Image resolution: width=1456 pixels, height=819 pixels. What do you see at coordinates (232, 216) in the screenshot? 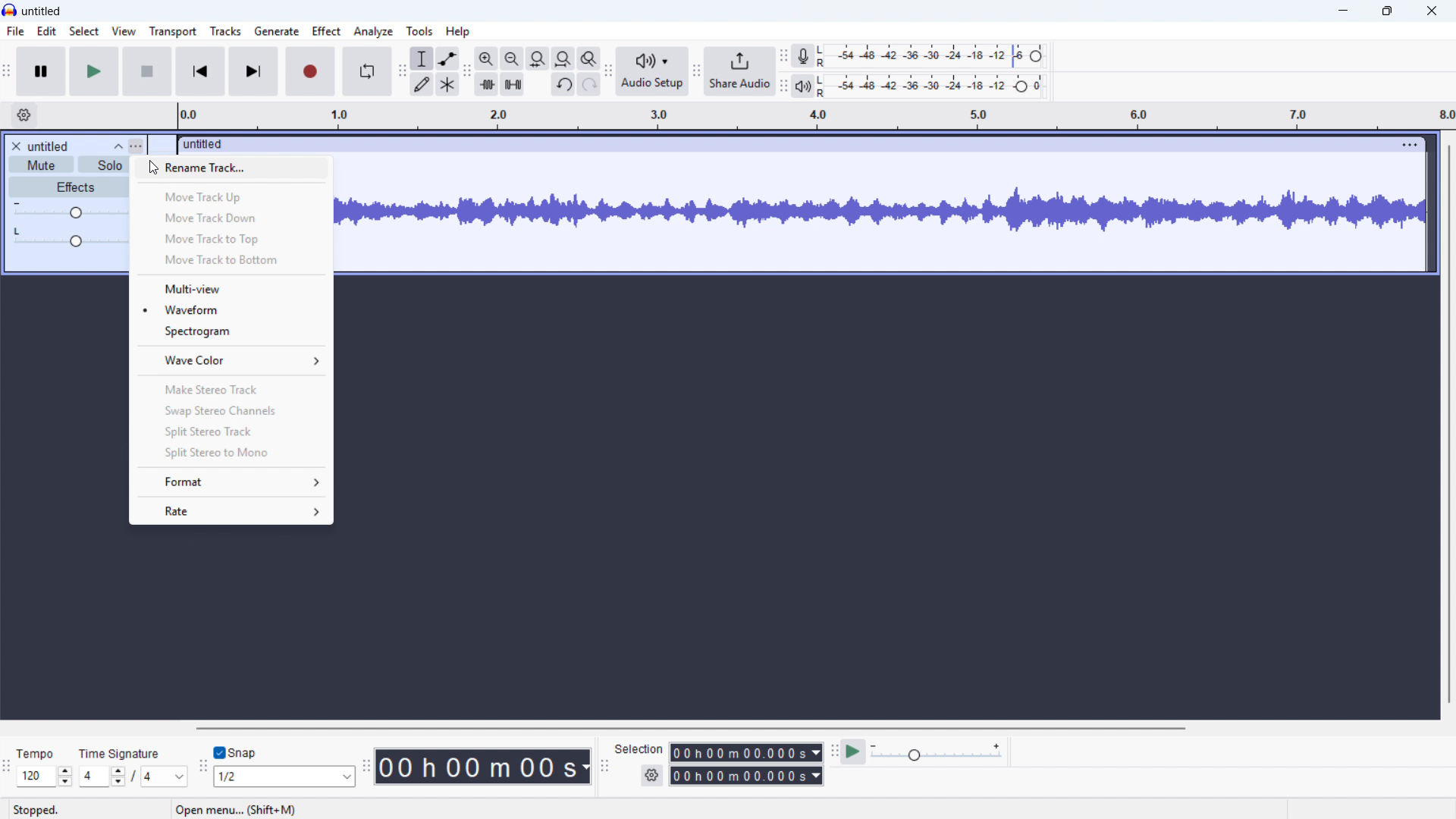
I see `Move track down ` at bounding box center [232, 216].